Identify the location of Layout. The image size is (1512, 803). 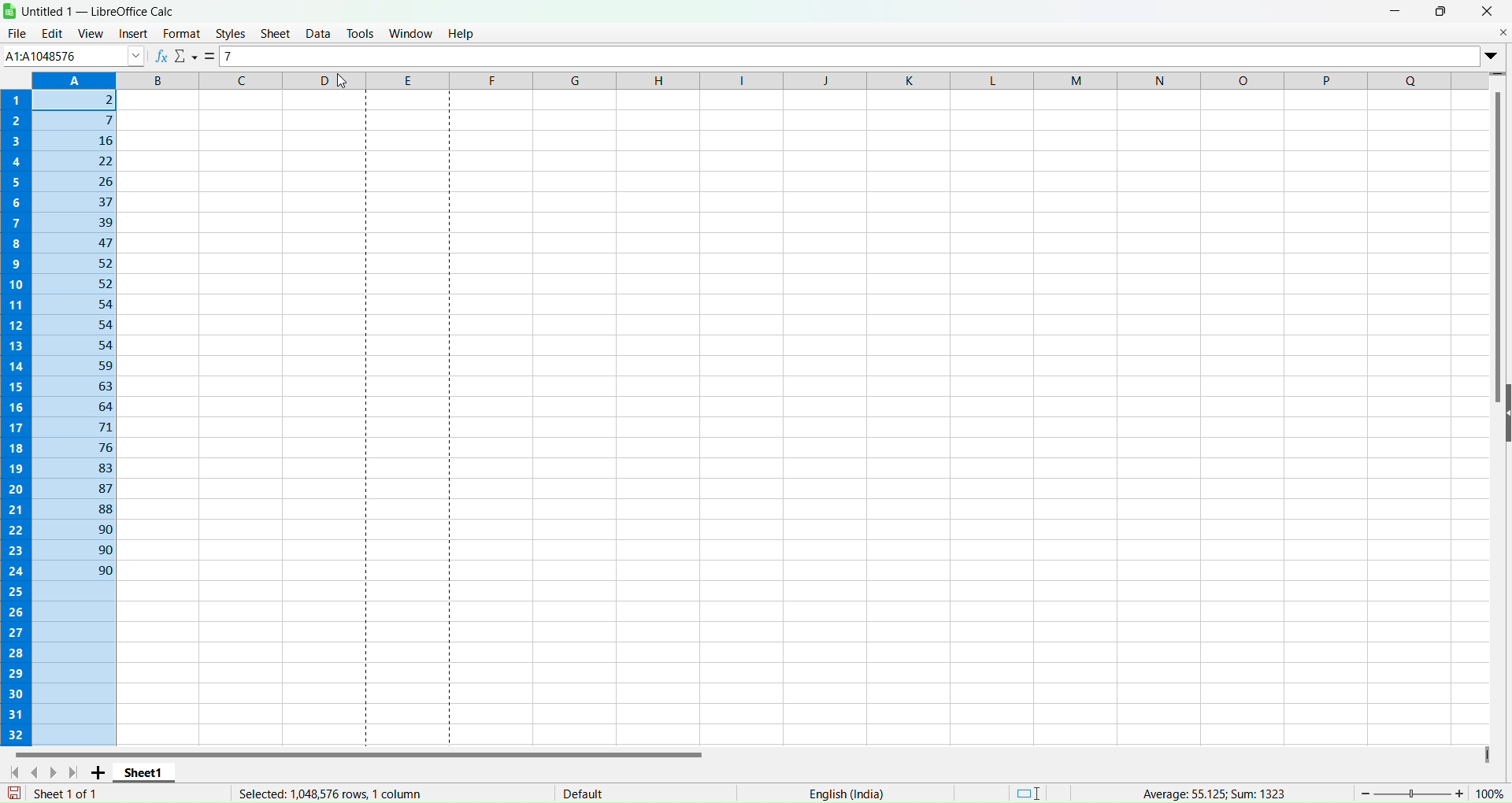
(1029, 791).